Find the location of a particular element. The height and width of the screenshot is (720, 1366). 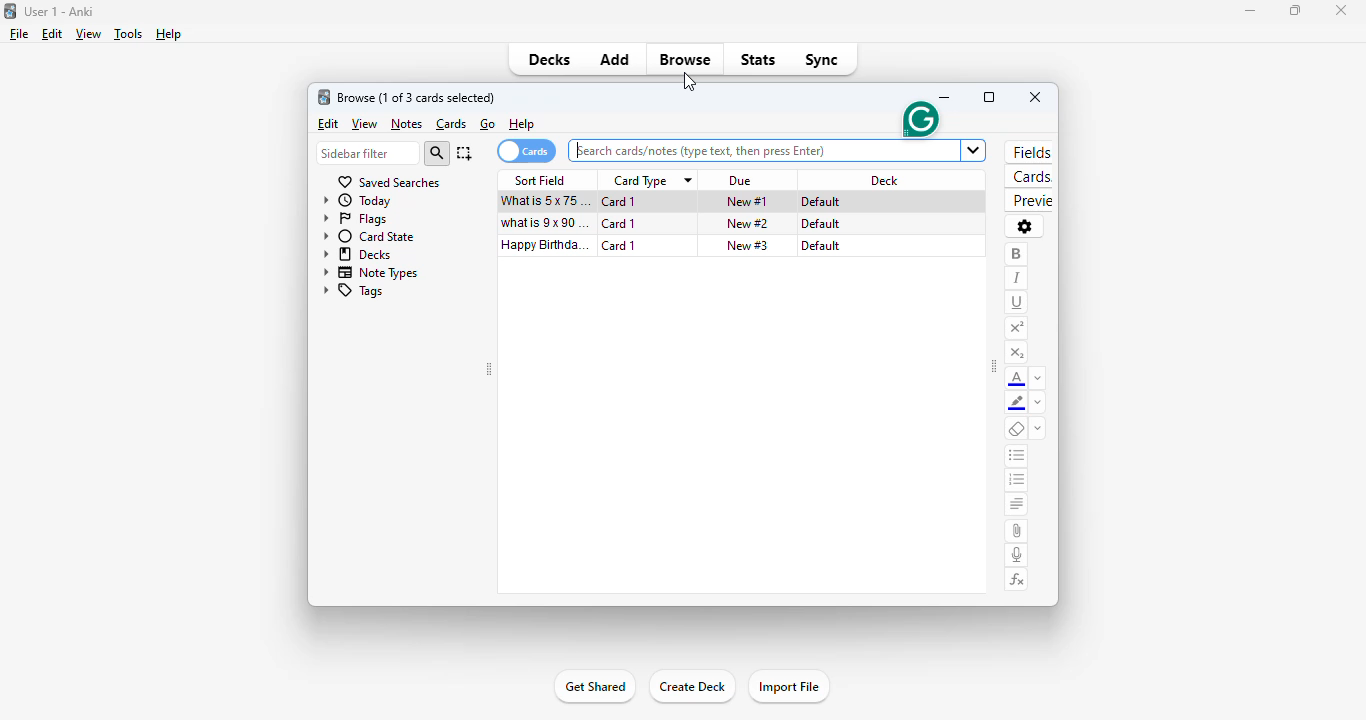

cards is located at coordinates (1028, 176).